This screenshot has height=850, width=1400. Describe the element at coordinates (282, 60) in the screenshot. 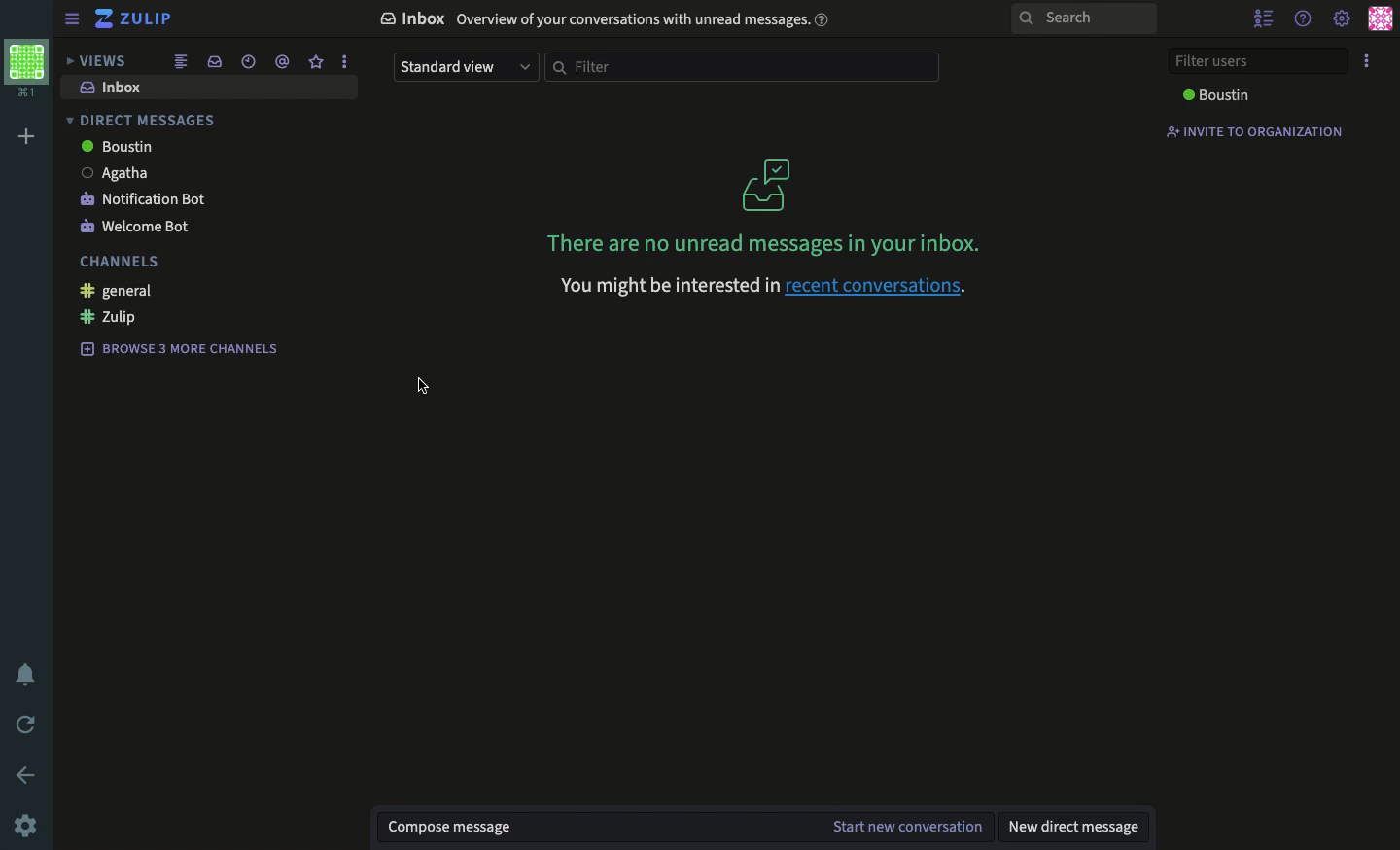

I see `mention` at that location.